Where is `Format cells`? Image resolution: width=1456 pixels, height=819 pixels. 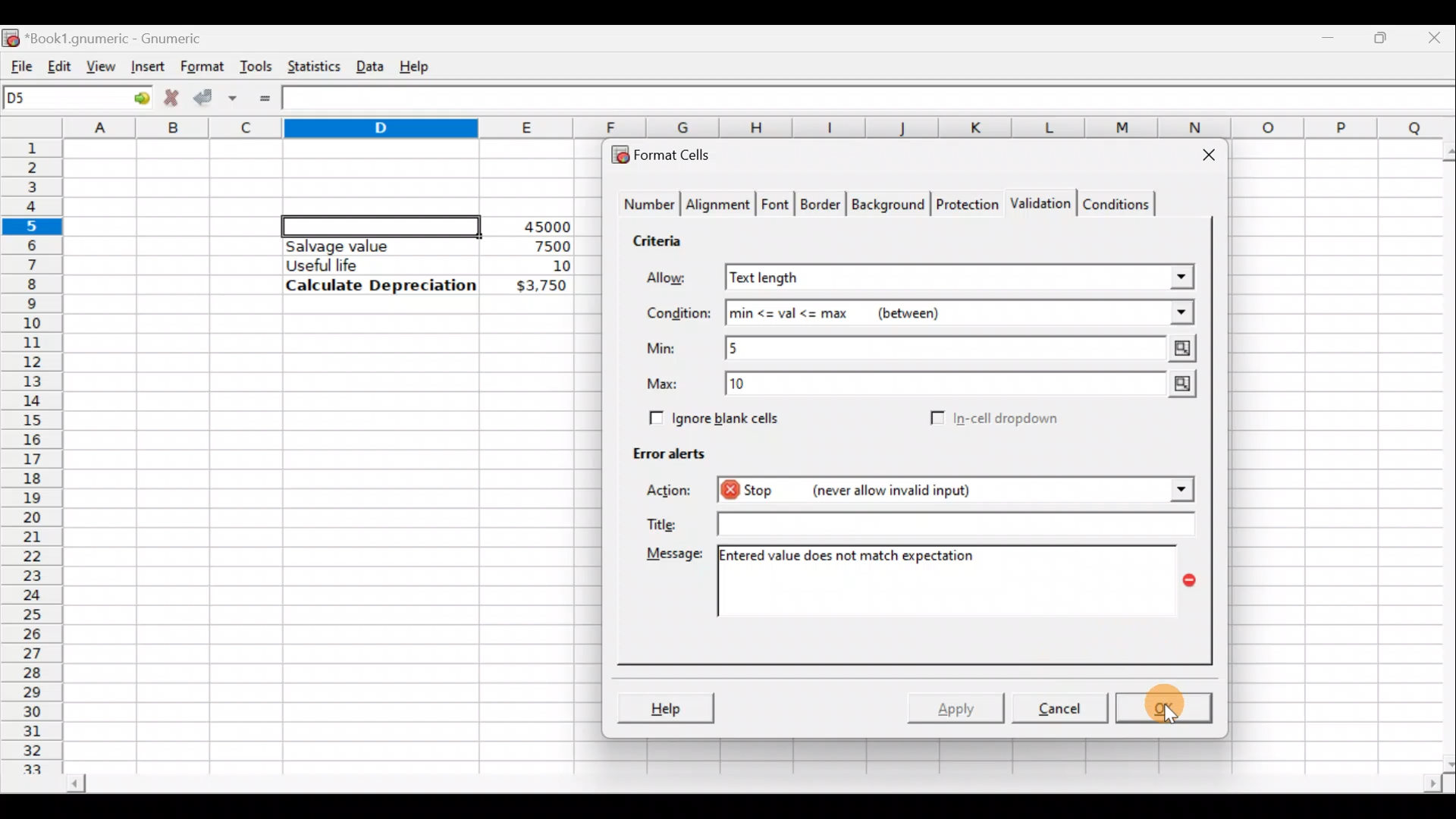
Format cells is located at coordinates (670, 152).